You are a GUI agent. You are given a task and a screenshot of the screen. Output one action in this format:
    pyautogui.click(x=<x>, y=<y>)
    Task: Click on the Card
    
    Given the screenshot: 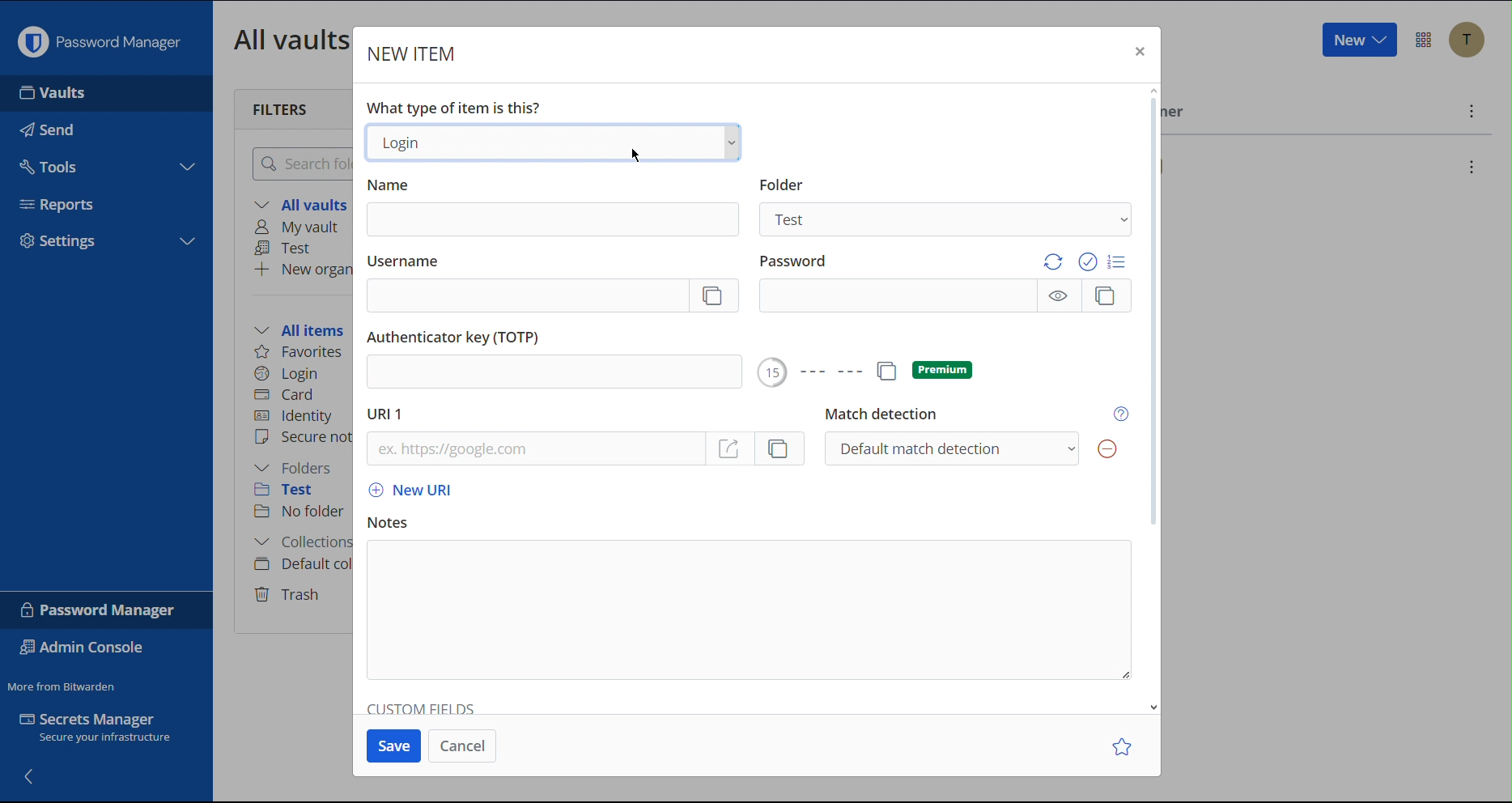 What is the action you would take?
    pyautogui.click(x=287, y=393)
    